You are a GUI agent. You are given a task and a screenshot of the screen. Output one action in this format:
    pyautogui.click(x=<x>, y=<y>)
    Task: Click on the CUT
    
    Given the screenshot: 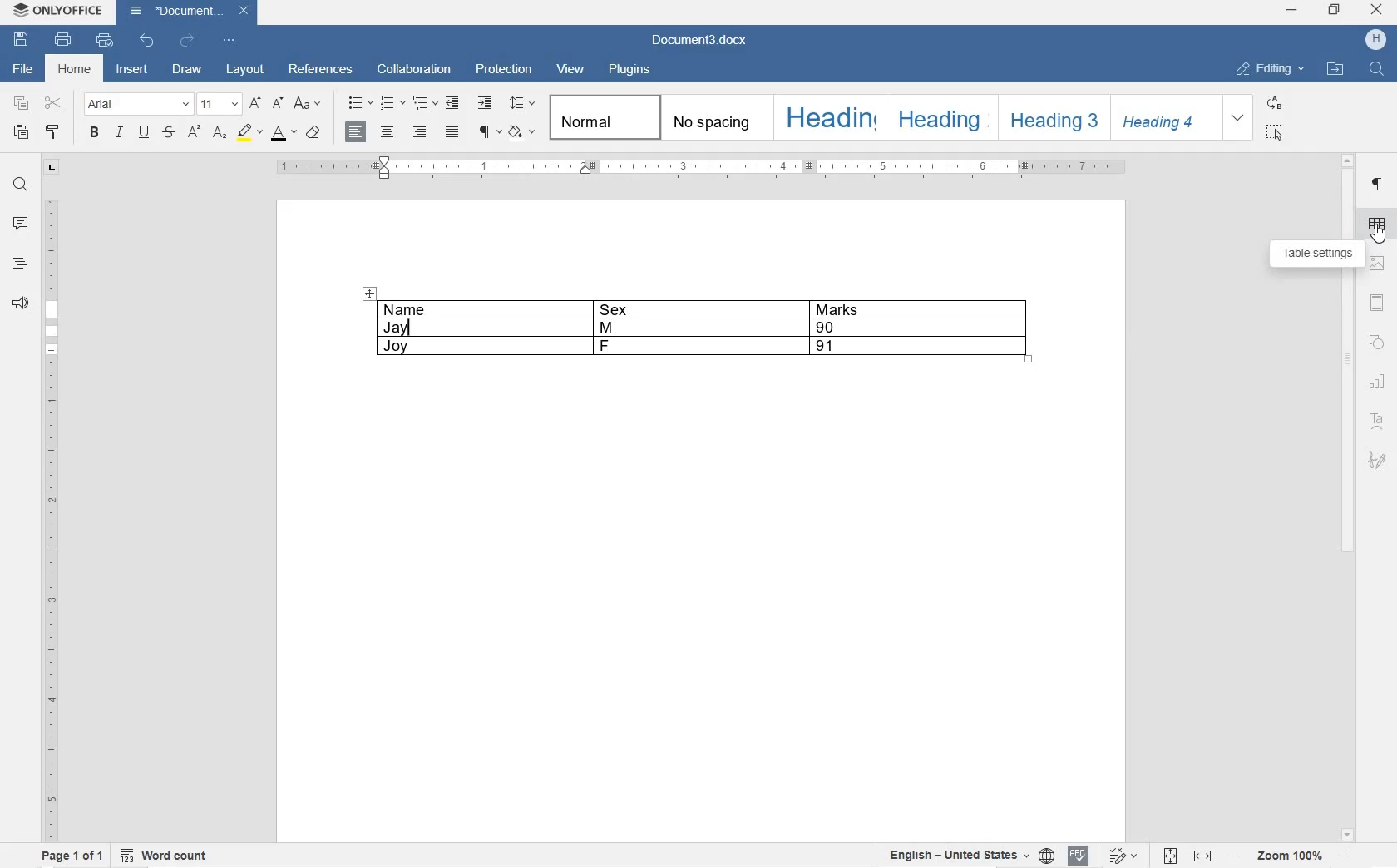 What is the action you would take?
    pyautogui.click(x=55, y=102)
    